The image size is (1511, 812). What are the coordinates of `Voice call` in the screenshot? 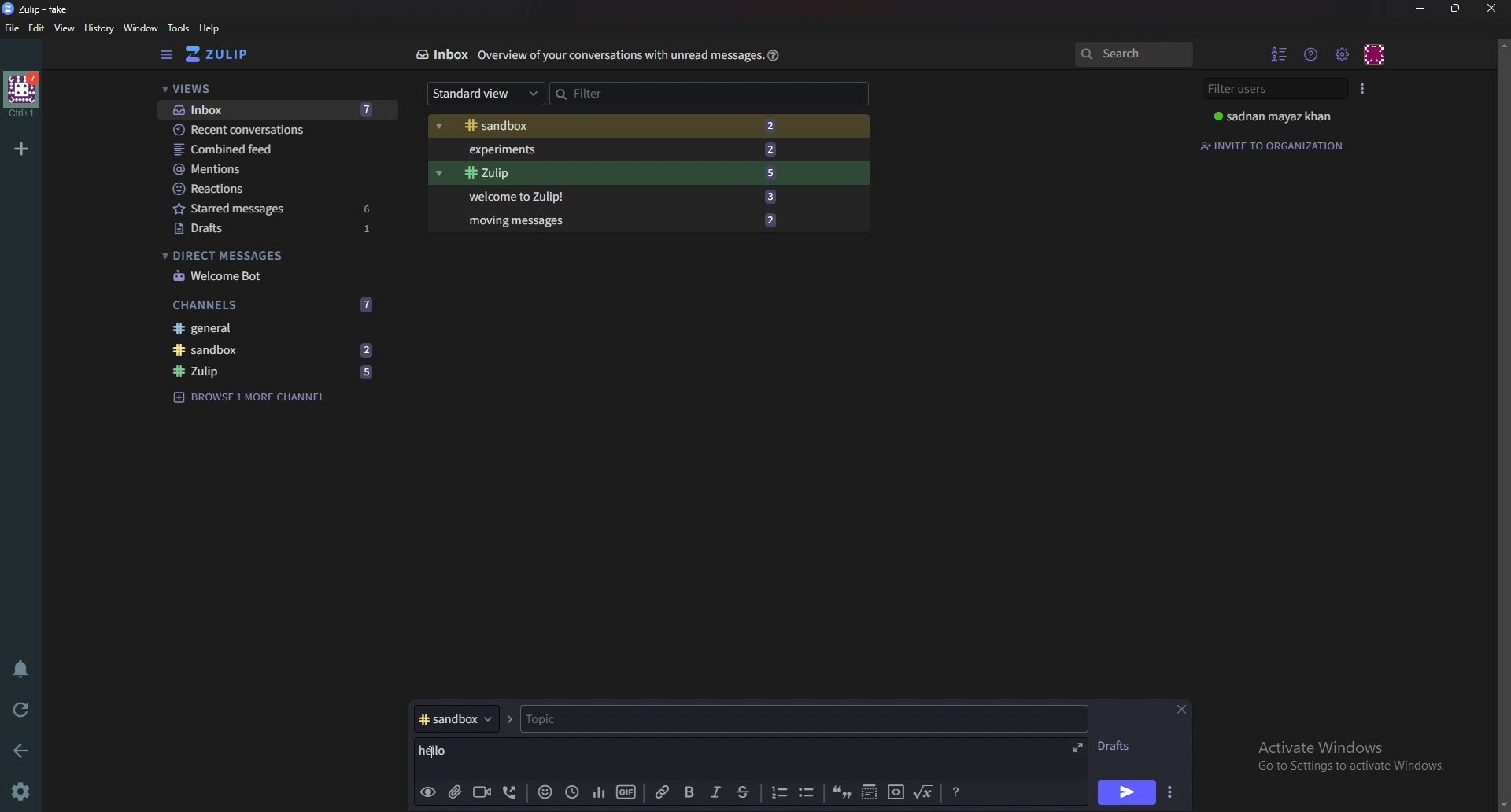 It's located at (512, 793).